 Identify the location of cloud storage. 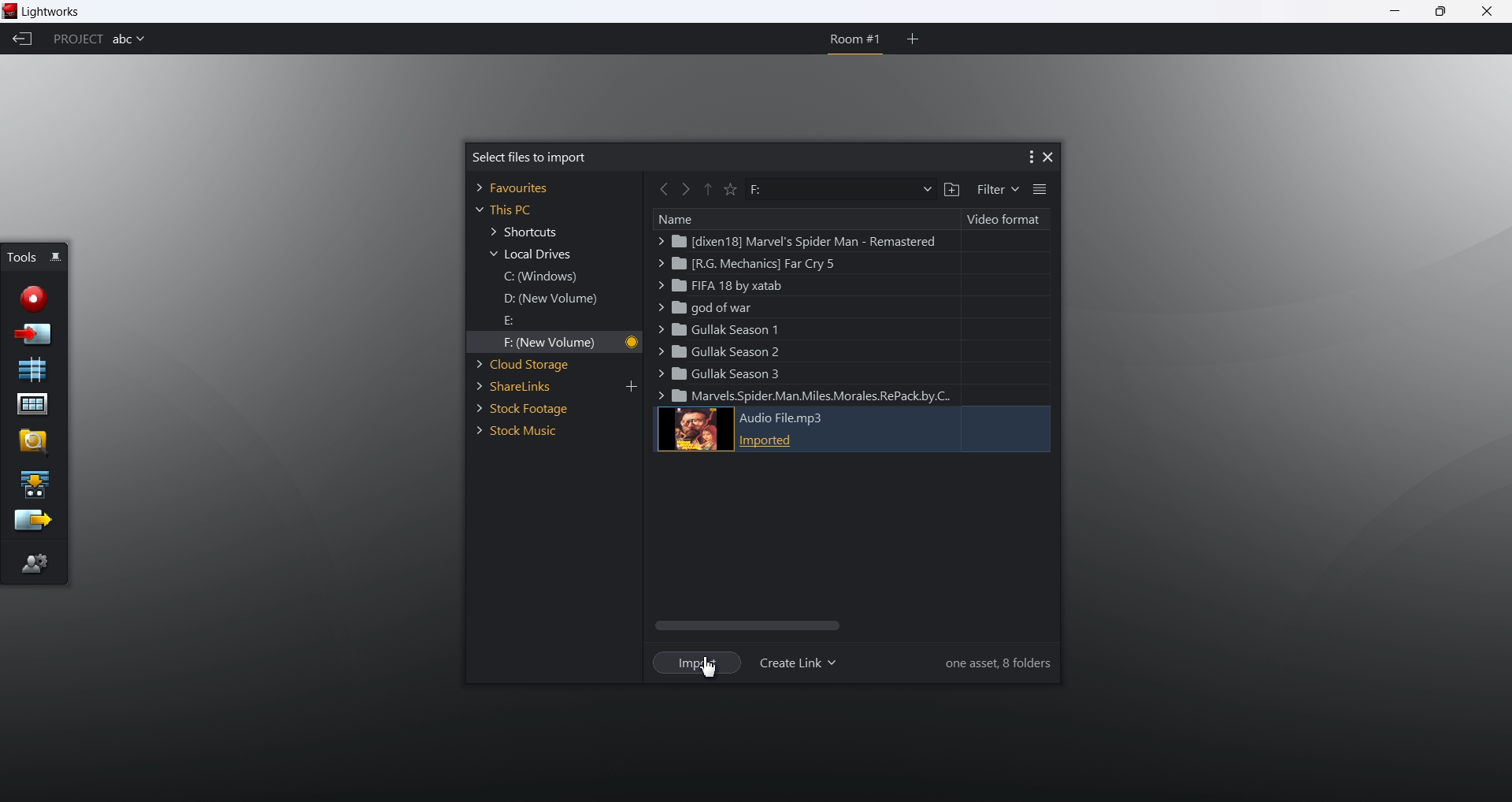
(529, 365).